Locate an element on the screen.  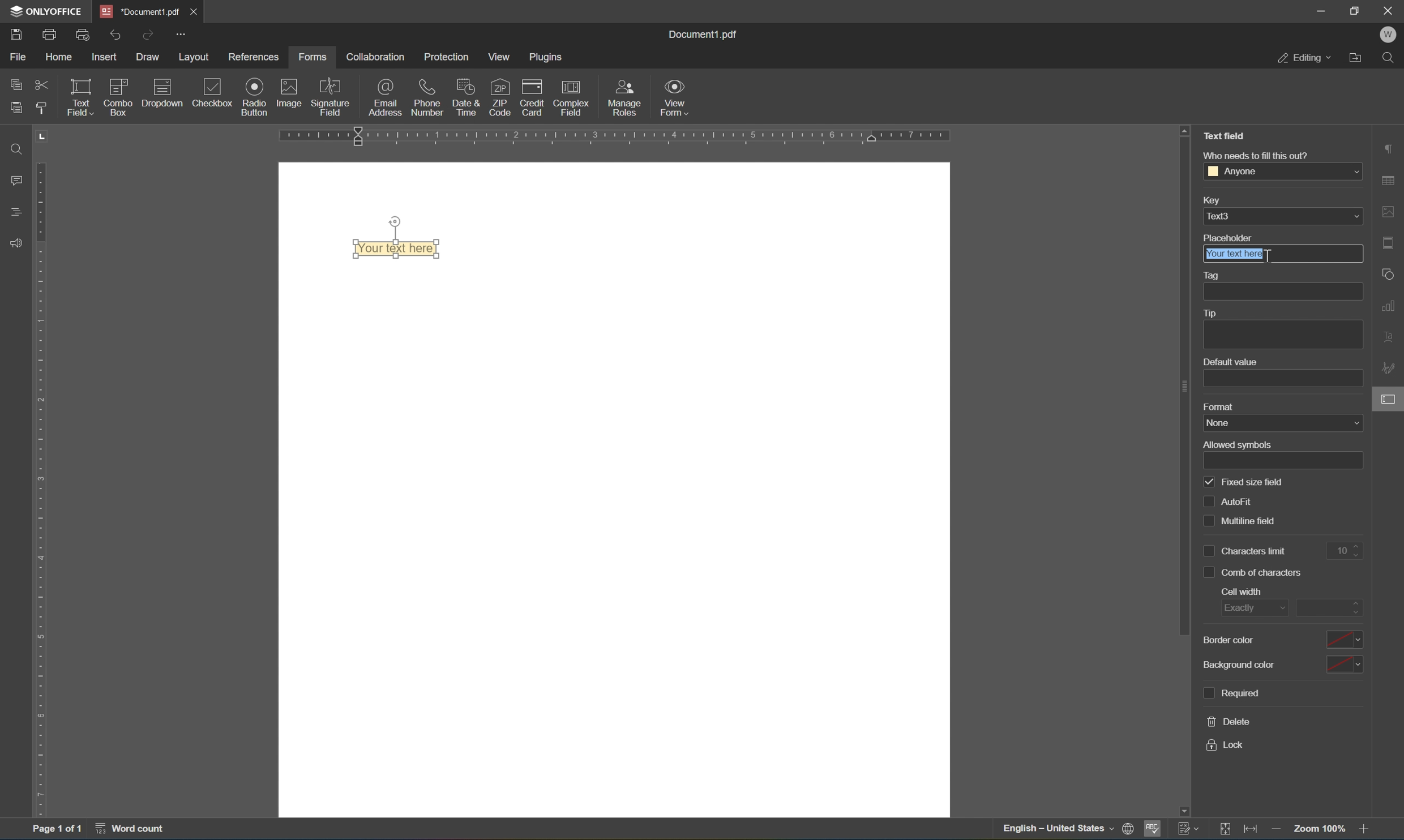
restore down is located at coordinates (1356, 10).